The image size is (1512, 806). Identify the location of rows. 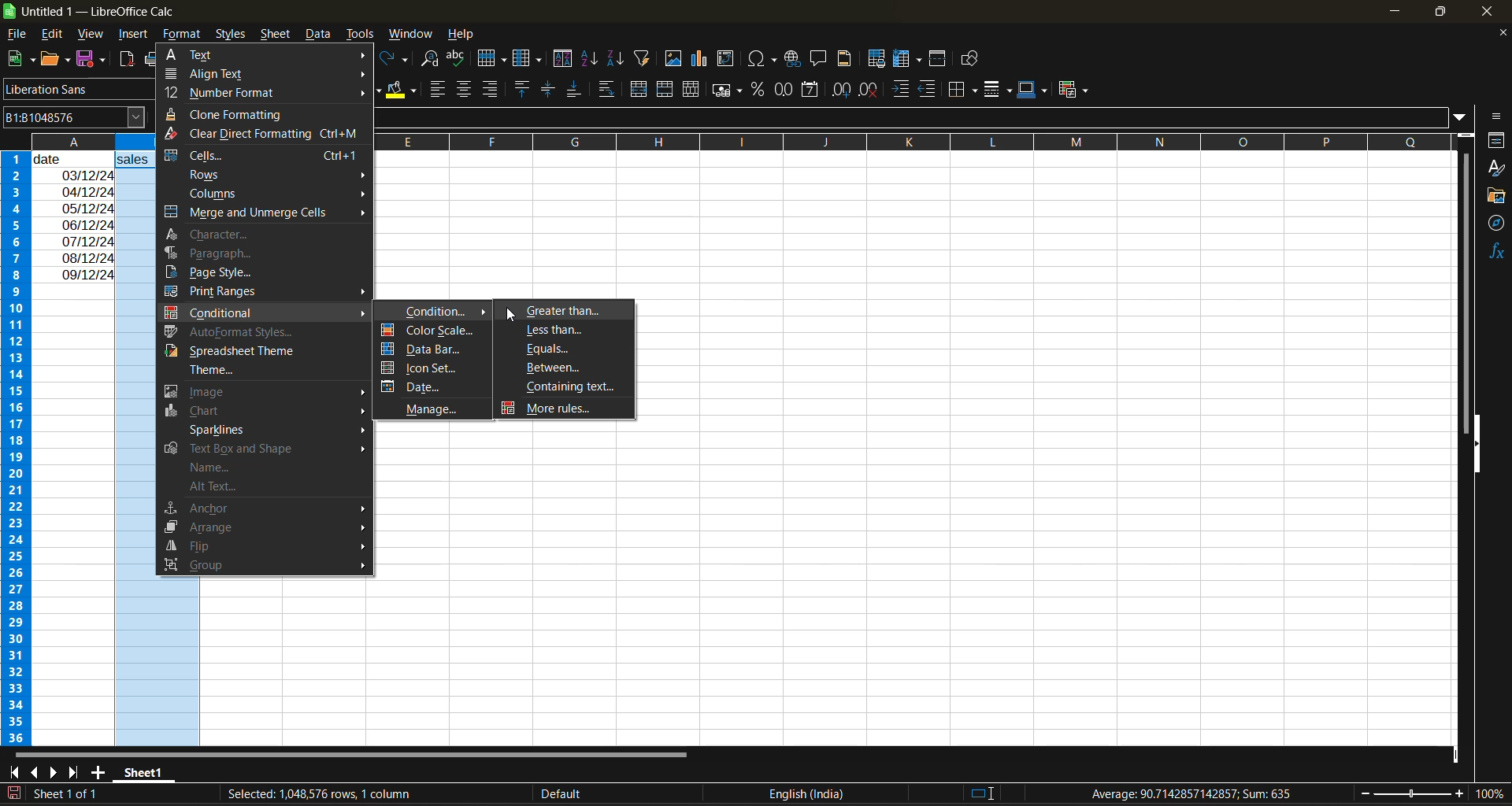
(279, 176).